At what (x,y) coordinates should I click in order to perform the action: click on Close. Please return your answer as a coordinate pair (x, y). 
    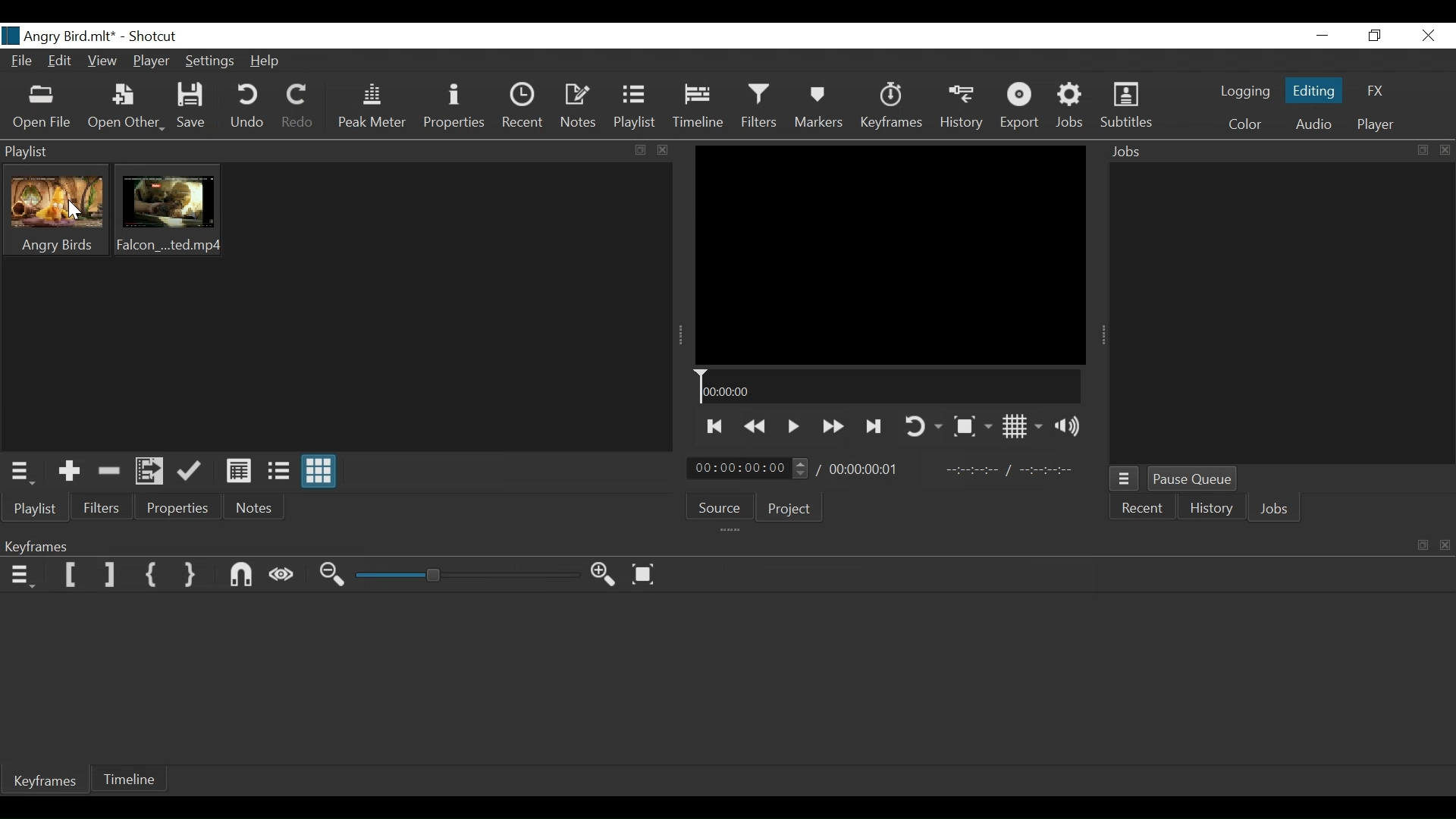
    Looking at the image, I should click on (1426, 36).